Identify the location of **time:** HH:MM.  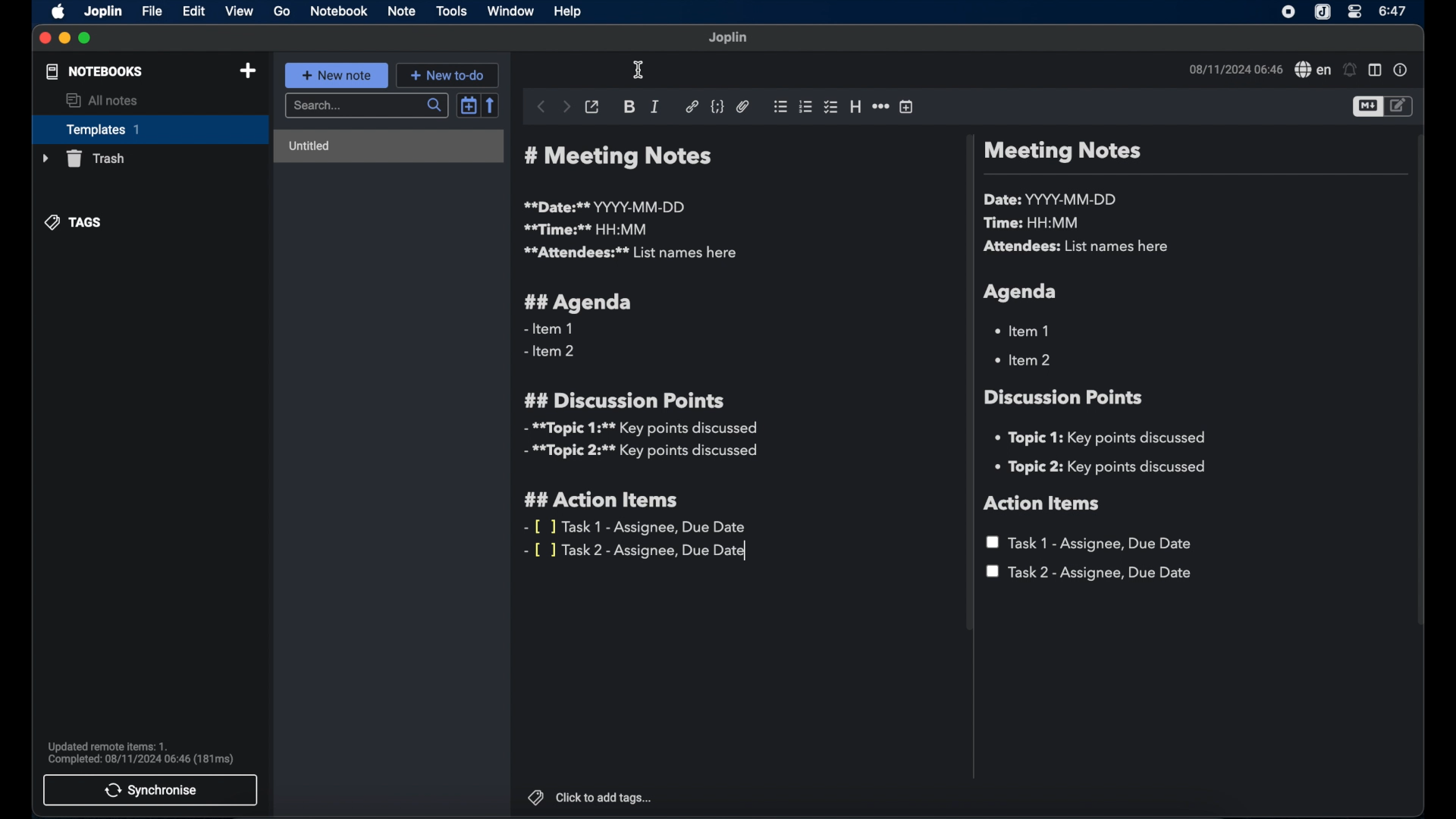
(586, 229).